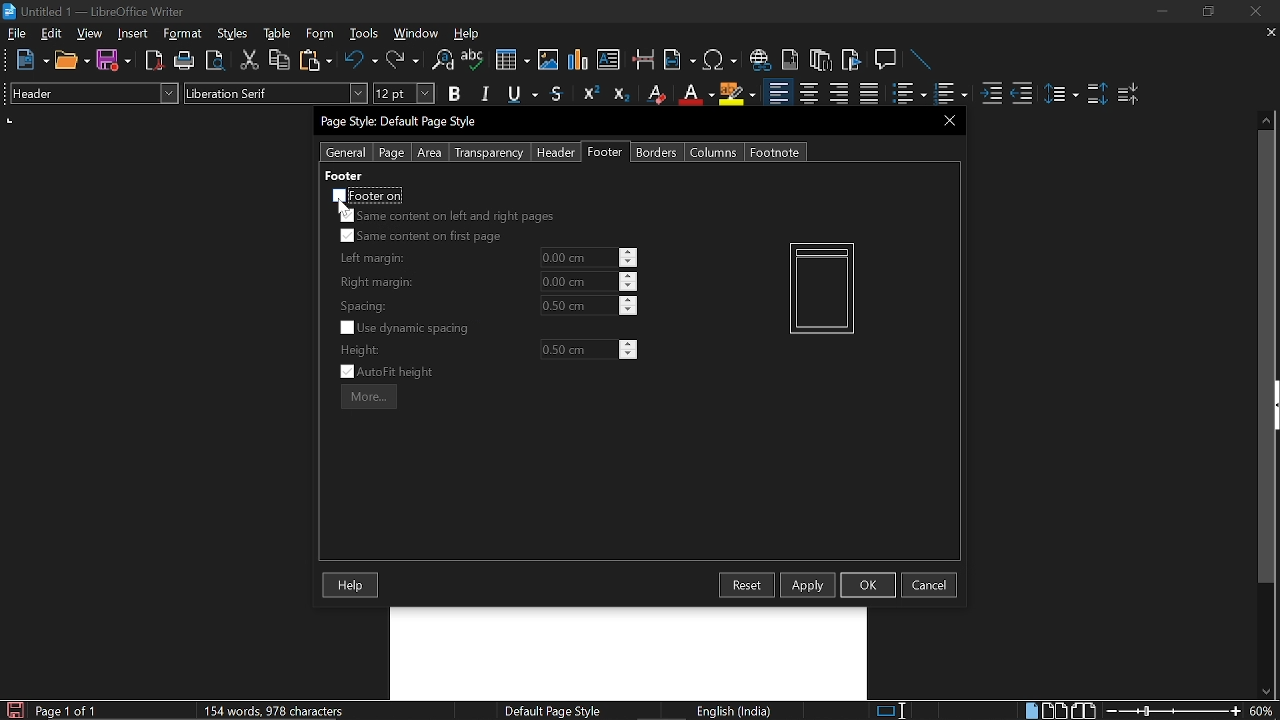 This screenshot has height=720, width=1280. I want to click on Edit, so click(52, 33).